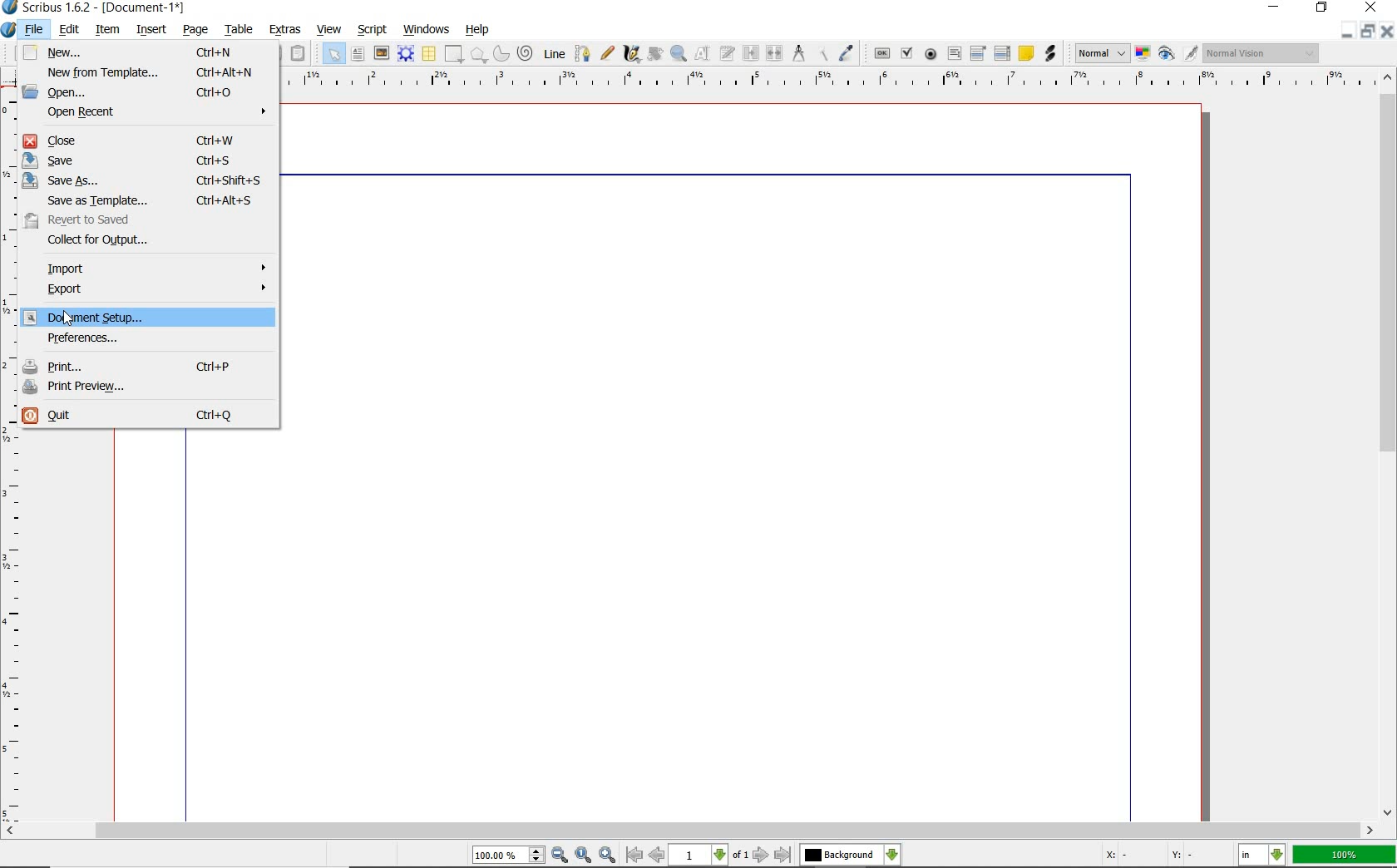 Image resolution: width=1397 pixels, height=868 pixels. Describe the element at coordinates (143, 160) in the screenshot. I see `SAVE` at that location.